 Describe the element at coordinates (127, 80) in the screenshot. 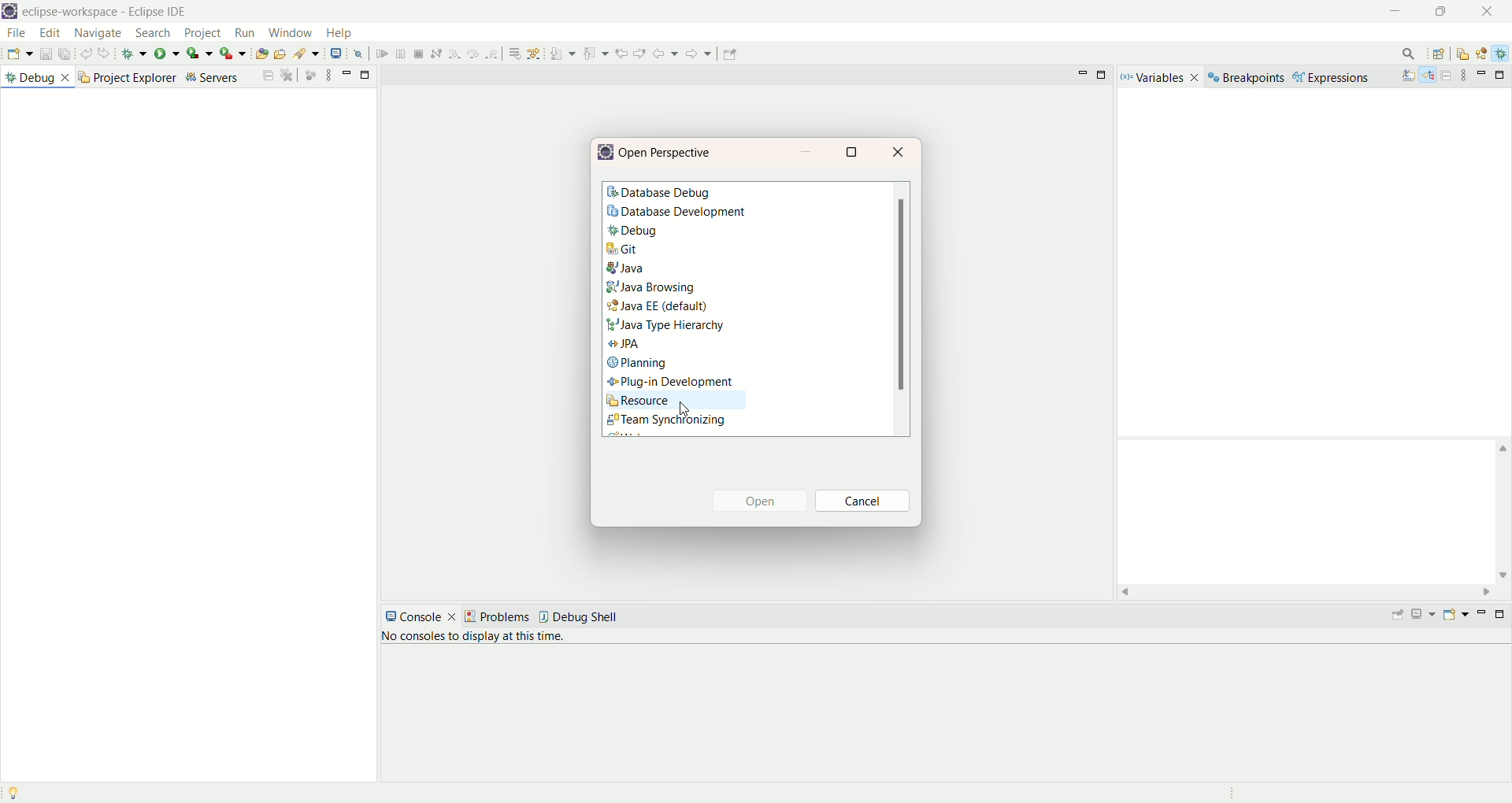

I see `project explorer` at that location.